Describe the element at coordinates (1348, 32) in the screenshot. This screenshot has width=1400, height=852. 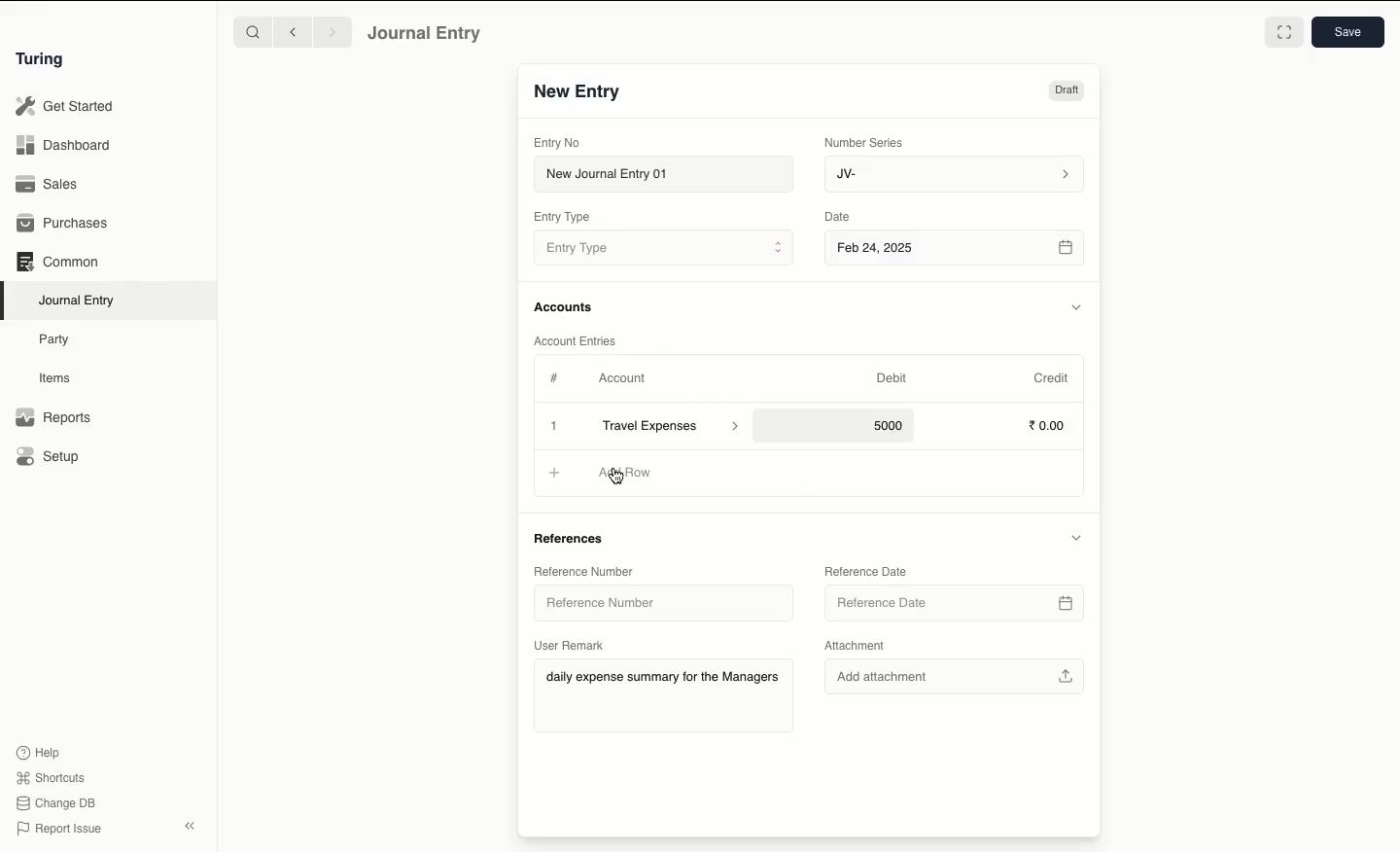
I see `Save` at that location.